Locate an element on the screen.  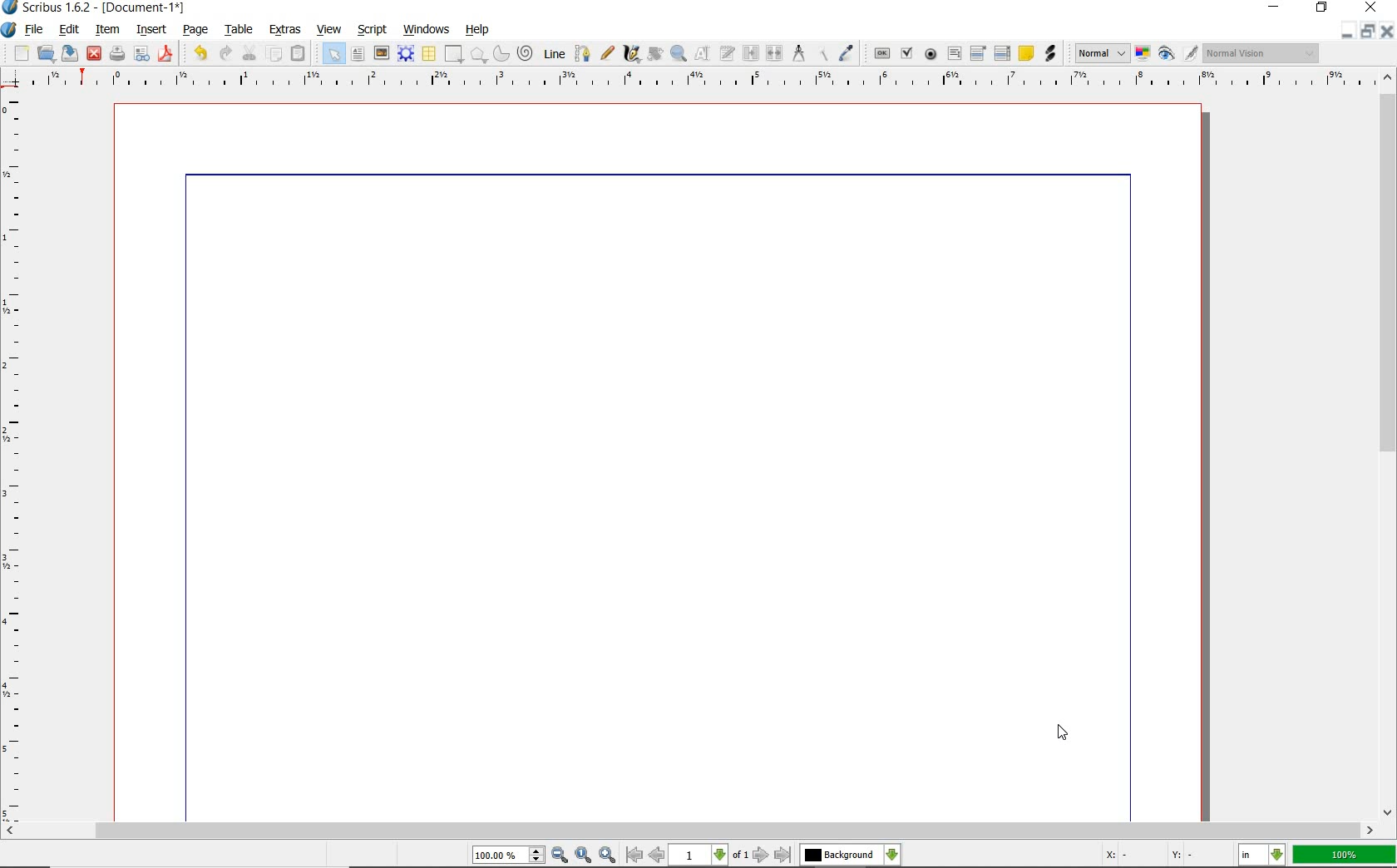
coordinates is located at coordinates (1147, 856).